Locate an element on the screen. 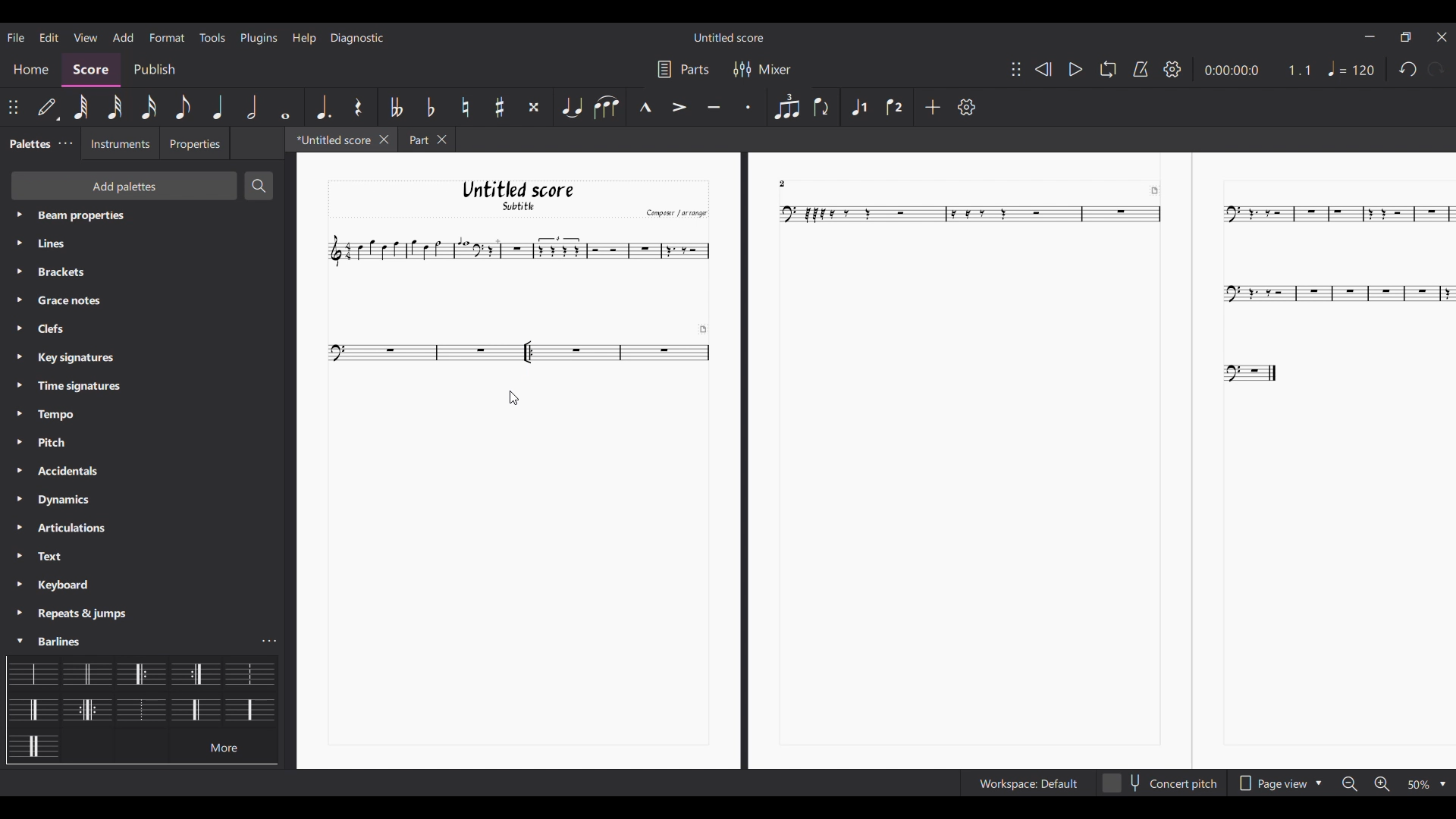 This screenshot has width=1456, height=819. Palette settings is located at coordinates (61, 530).